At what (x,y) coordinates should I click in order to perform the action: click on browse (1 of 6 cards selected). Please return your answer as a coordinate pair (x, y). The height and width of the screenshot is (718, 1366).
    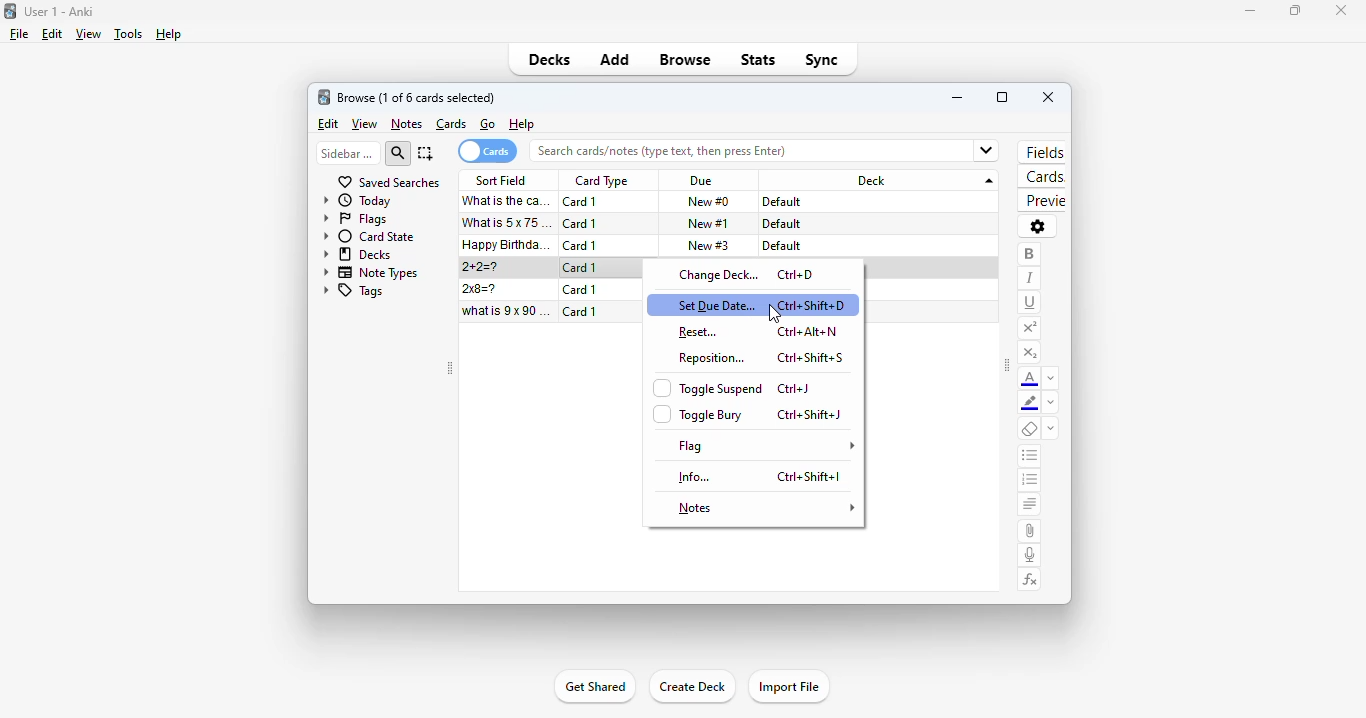
    Looking at the image, I should click on (417, 97).